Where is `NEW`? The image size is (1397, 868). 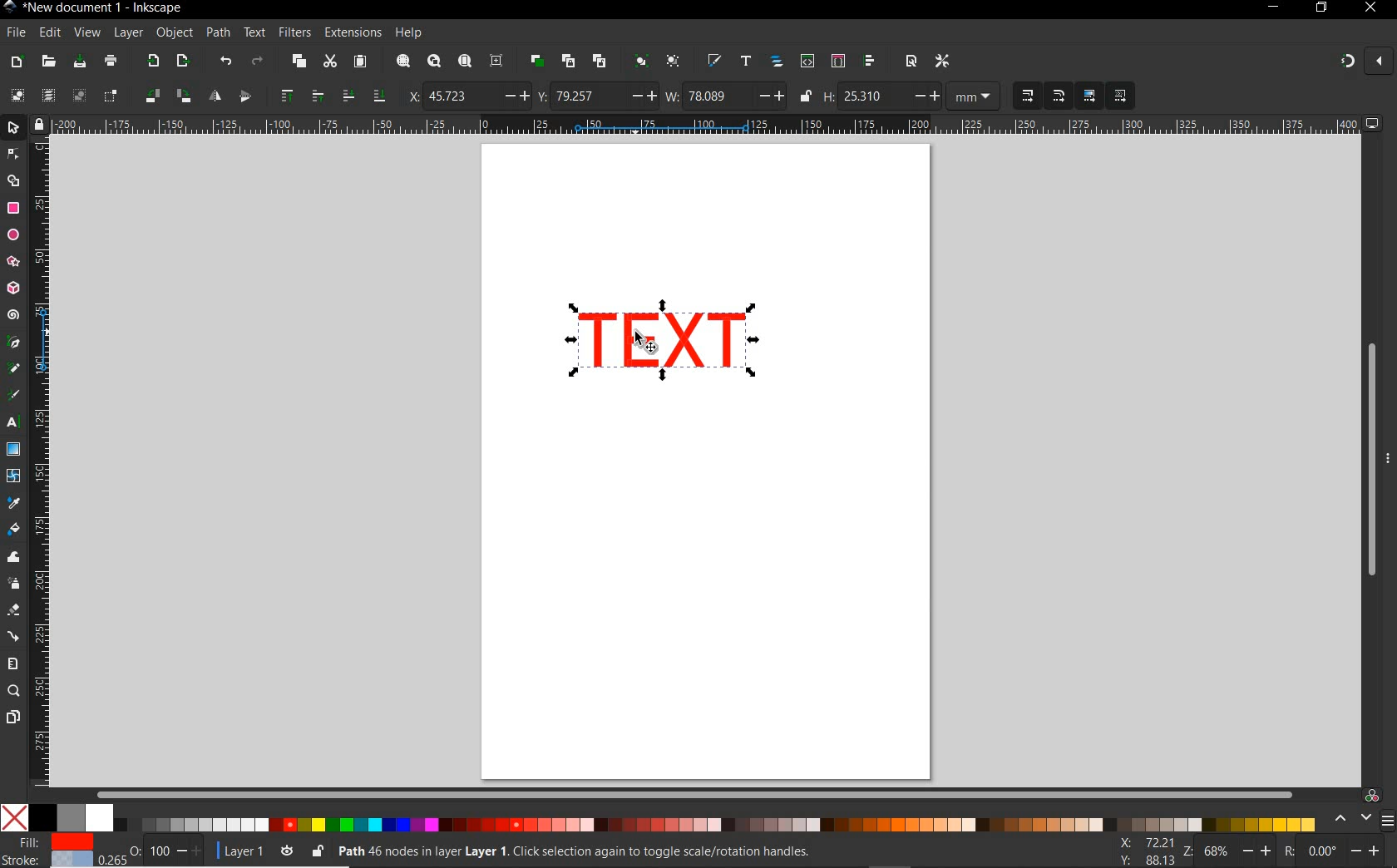
NEW is located at coordinates (16, 62).